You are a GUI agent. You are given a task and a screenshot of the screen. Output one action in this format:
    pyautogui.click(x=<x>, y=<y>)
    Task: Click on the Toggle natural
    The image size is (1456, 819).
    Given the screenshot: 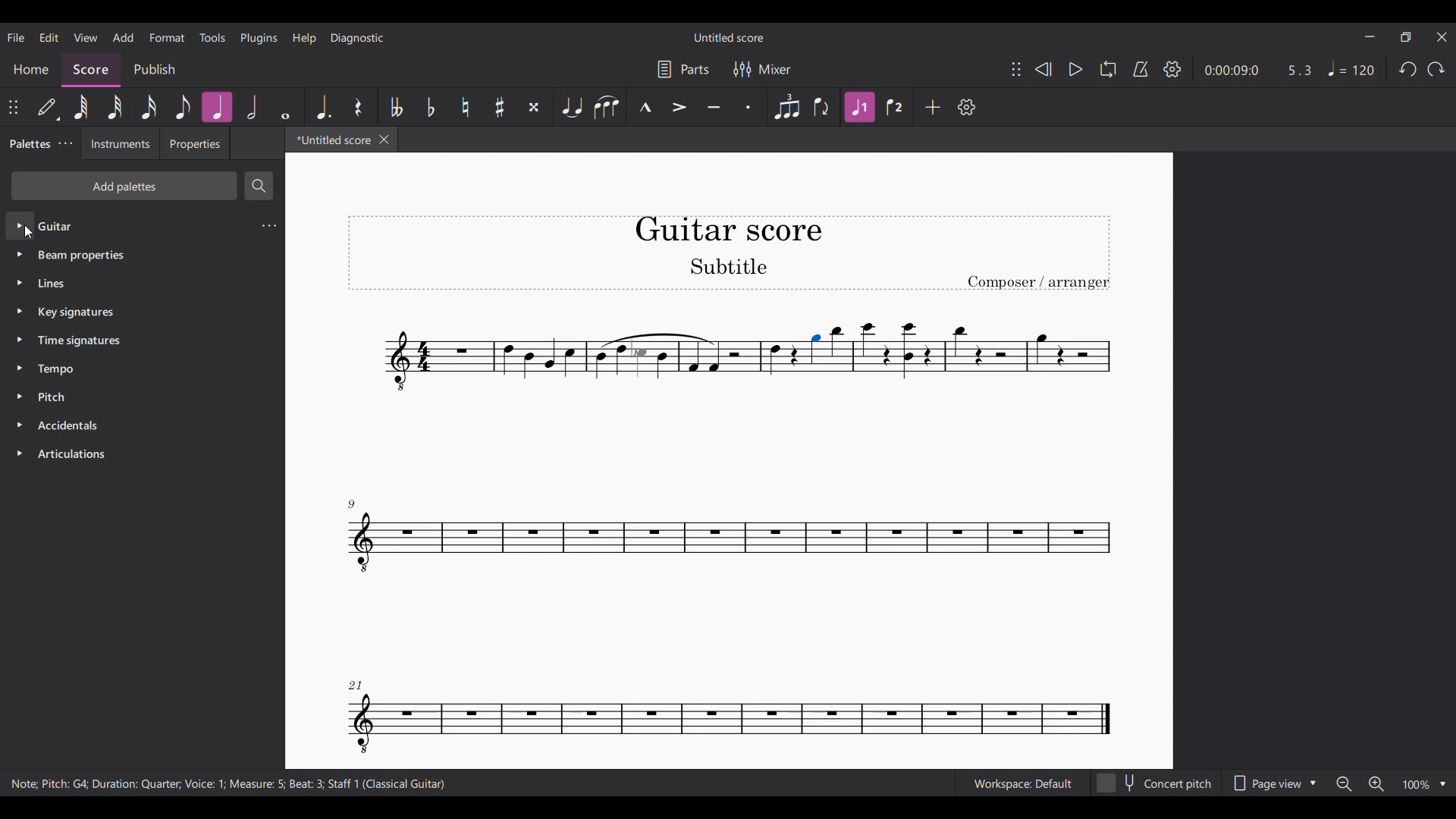 What is the action you would take?
    pyautogui.click(x=465, y=107)
    